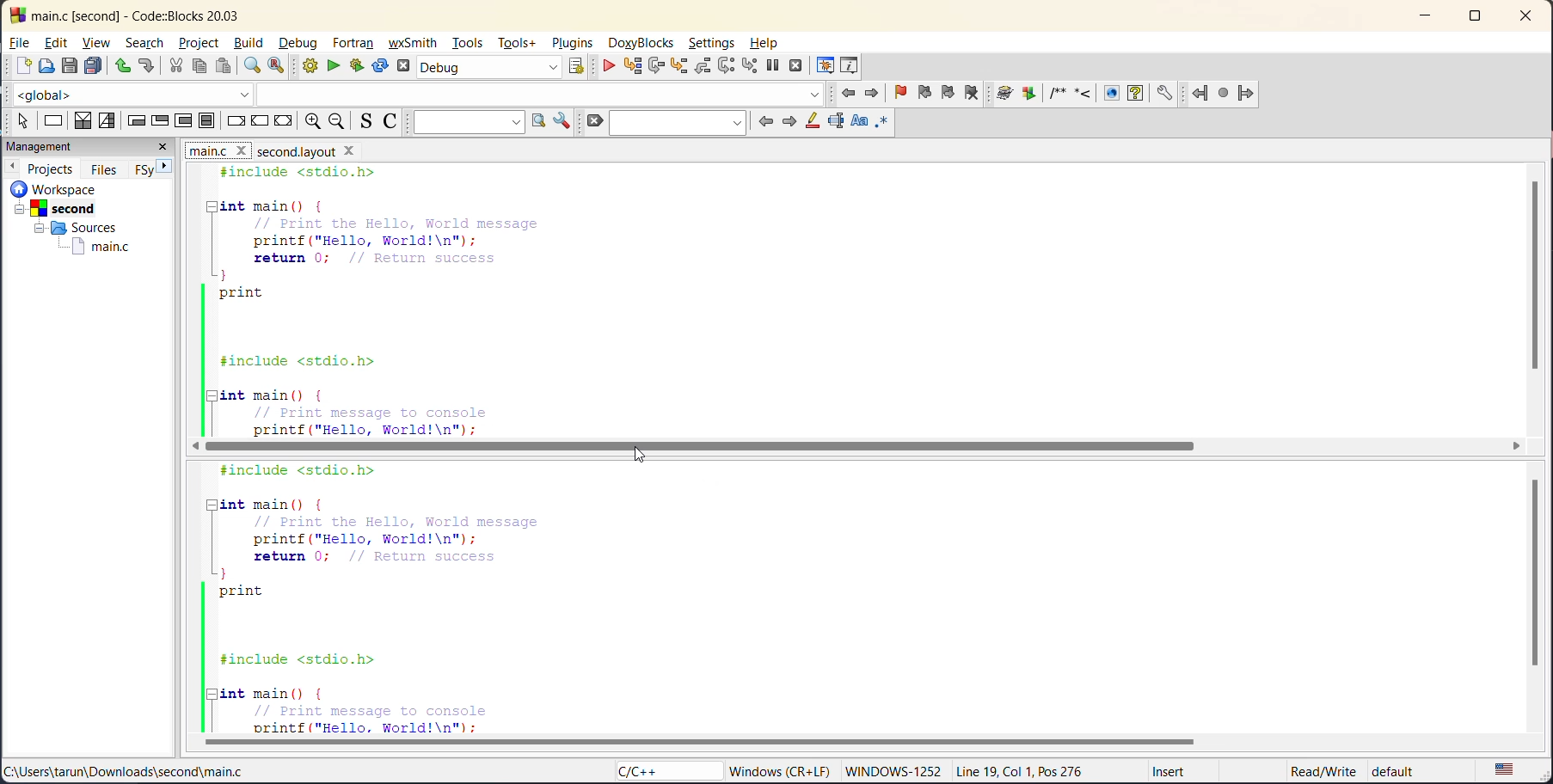 The height and width of the screenshot is (784, 1553). Describe the element at coordinates (401, 67) in the screenshot. I see `abort` at that location.